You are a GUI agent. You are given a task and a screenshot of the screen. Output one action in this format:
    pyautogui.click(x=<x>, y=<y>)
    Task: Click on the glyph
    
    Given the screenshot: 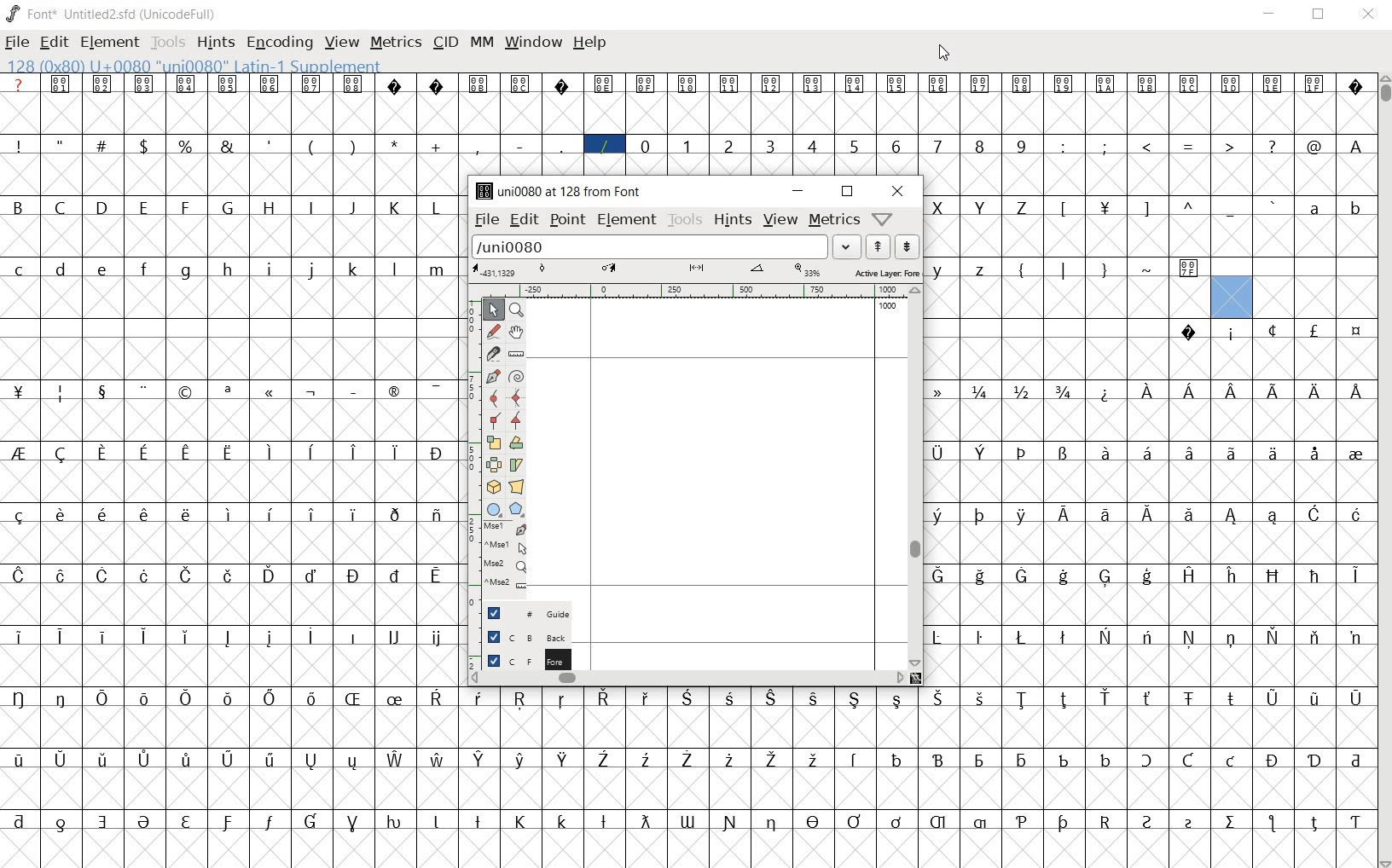 What is the action you would take?
    pyautogui.click(x=143, y=207)
    